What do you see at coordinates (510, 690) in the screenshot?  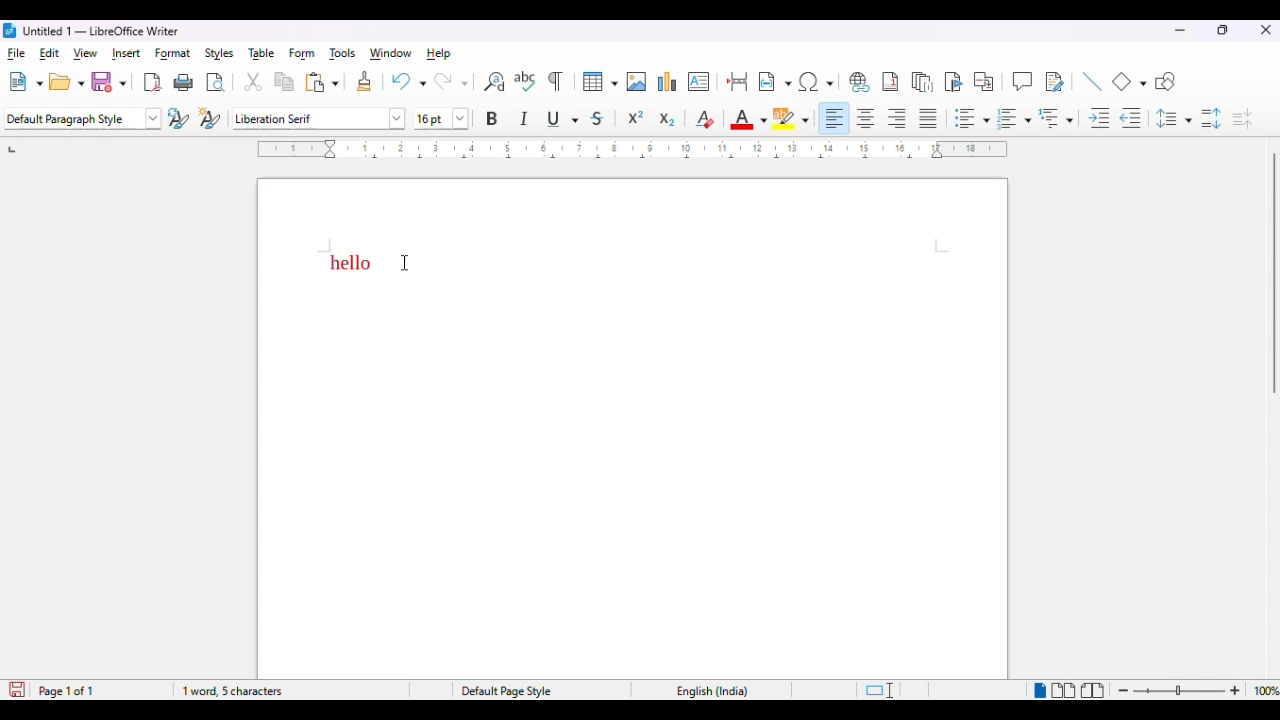 I see `Default Page Style` at bounding box center [510, 690].